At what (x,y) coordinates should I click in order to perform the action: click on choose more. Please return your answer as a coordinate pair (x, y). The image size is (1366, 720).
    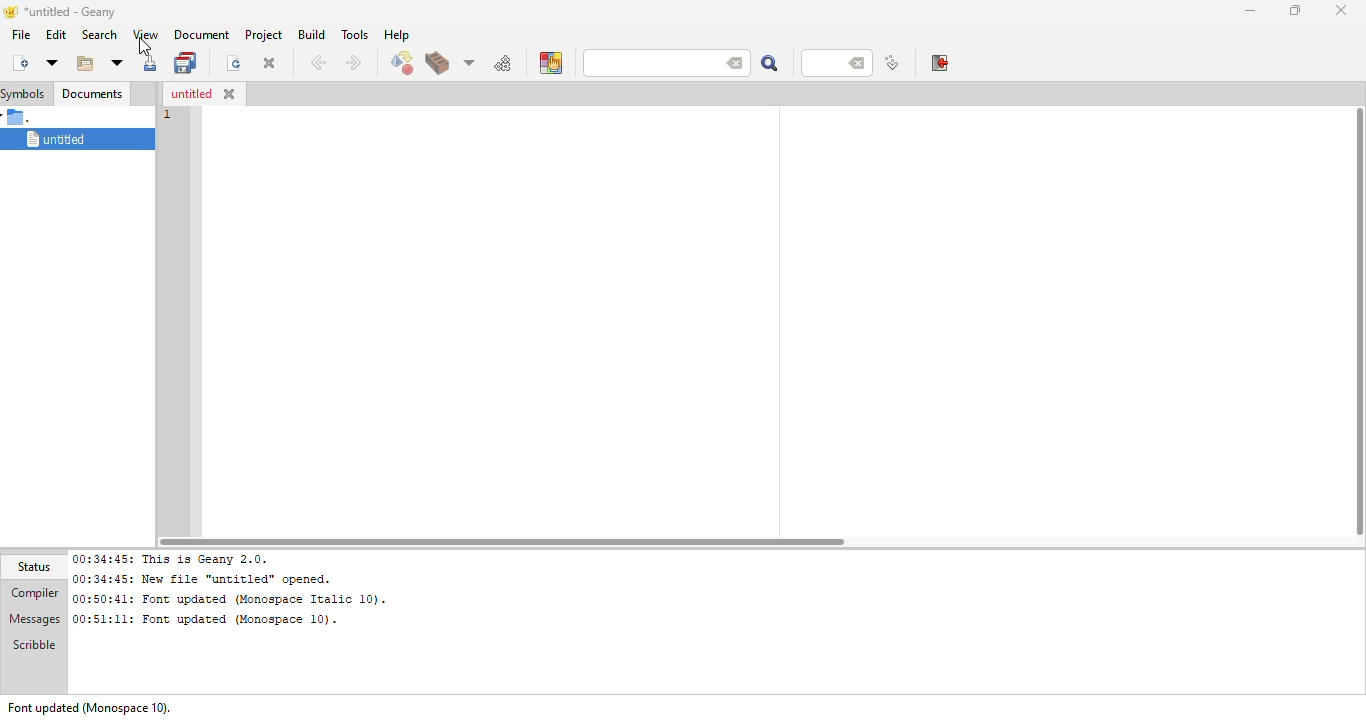
    Looking at the image, I should click on (467, 62).